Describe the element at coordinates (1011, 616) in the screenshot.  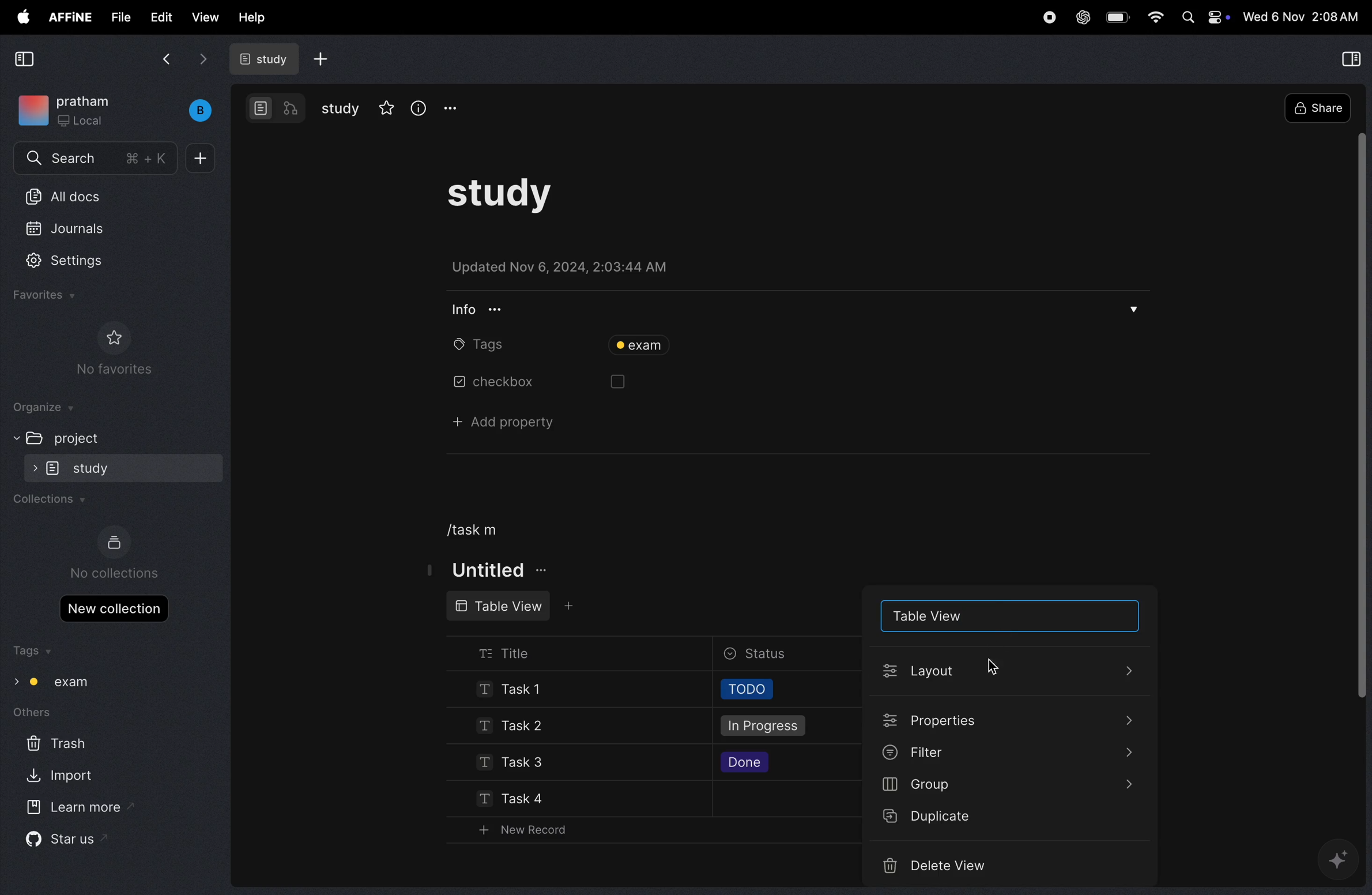
I see `table` at that location.